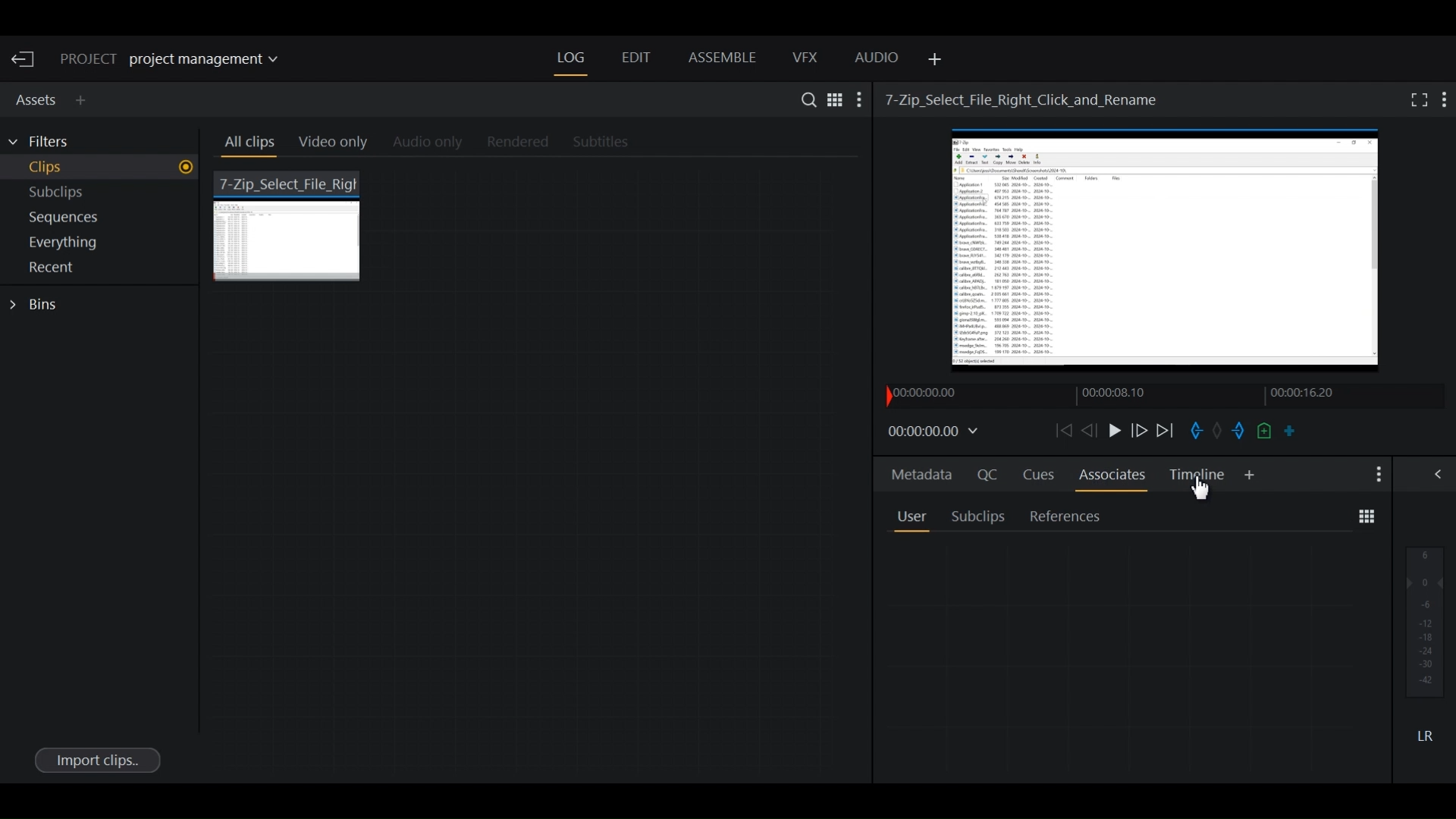  Describe the element at coordinates (103, 219) in the screenshot. I see `Show sequences in current project` at that location.